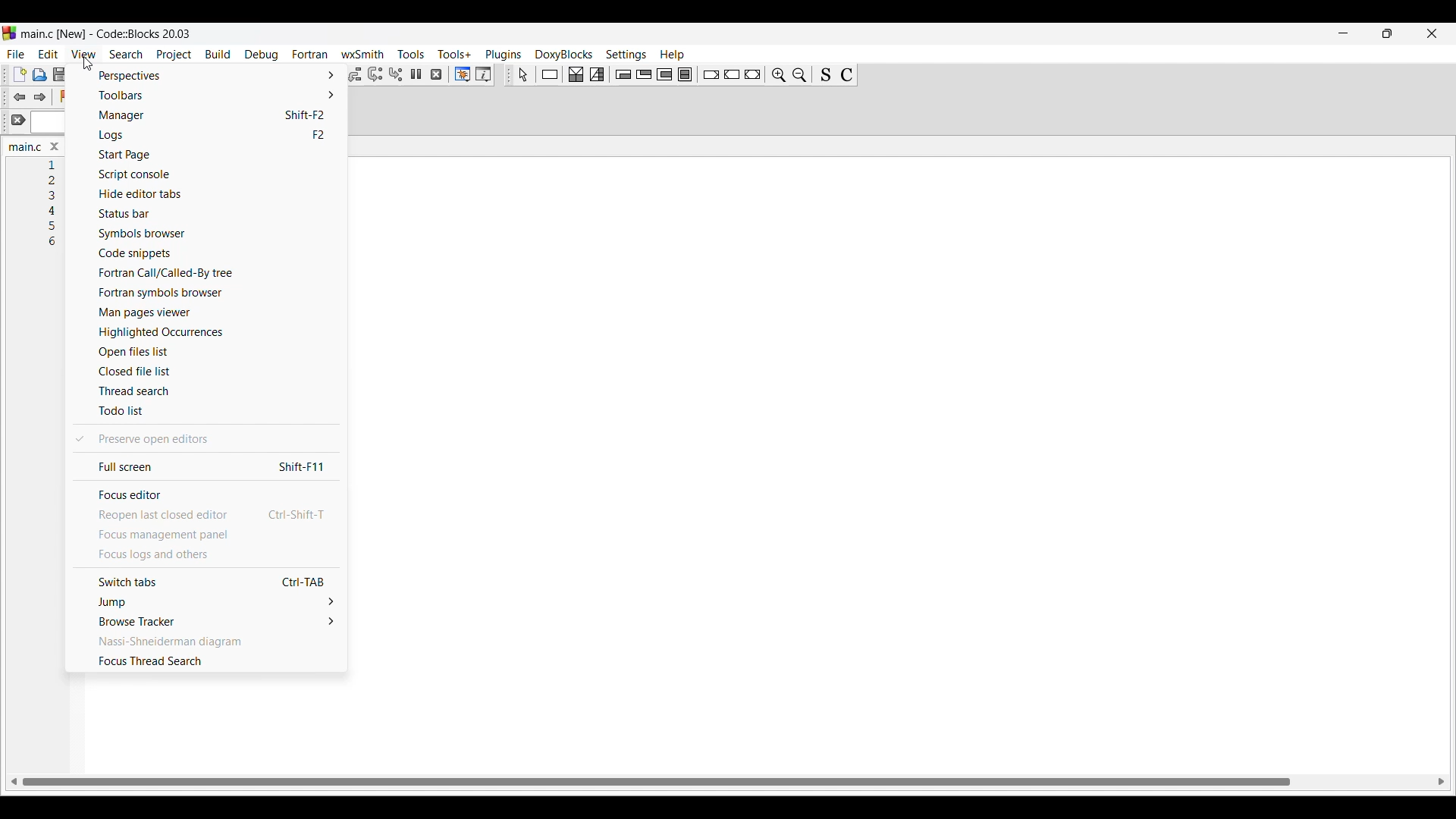 This screenshot has height=819, width=1456. I want to click on Fortran menu, so click(309, 54).